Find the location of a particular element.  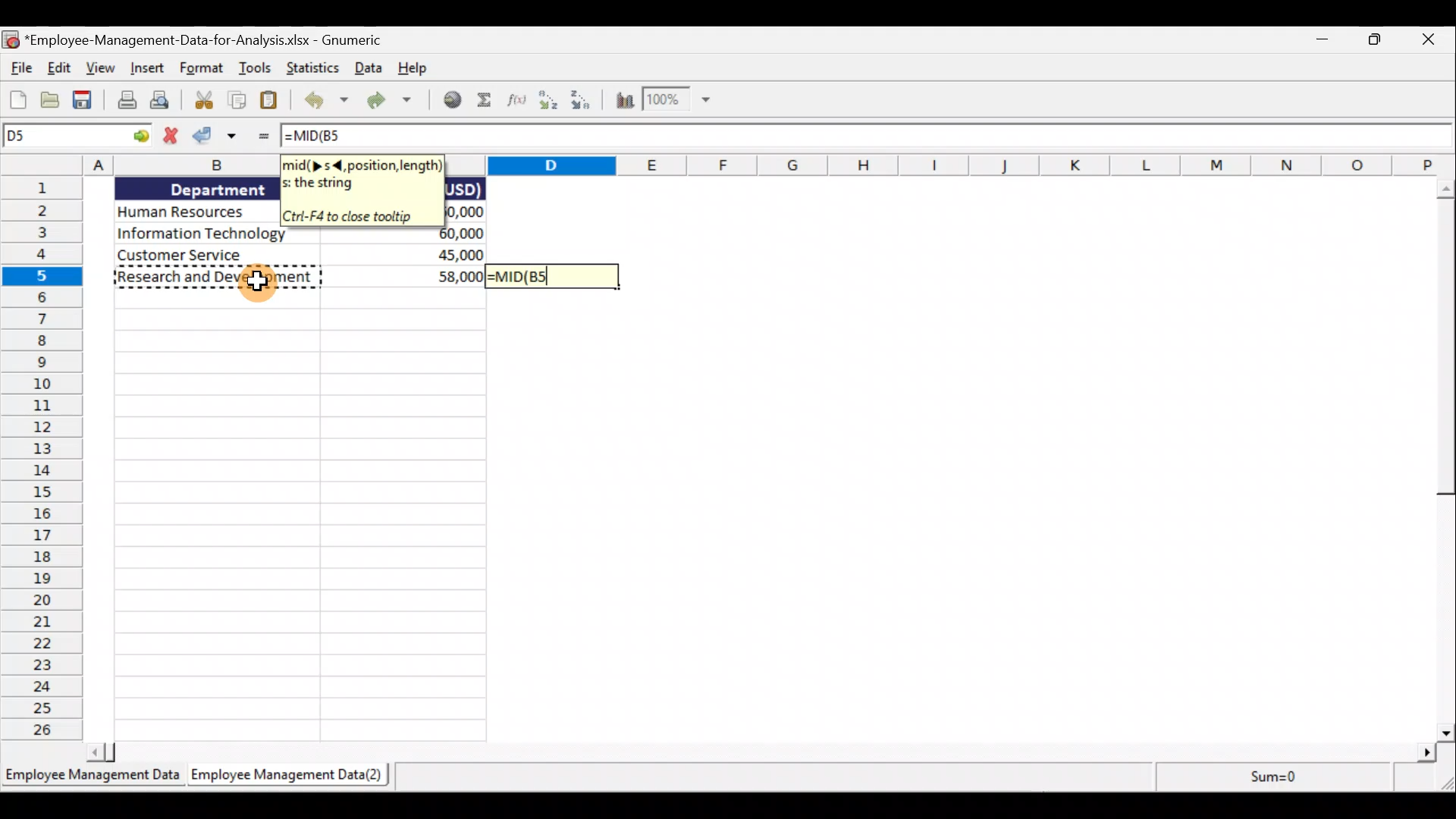

cursor is located at coordinates (260, 278).